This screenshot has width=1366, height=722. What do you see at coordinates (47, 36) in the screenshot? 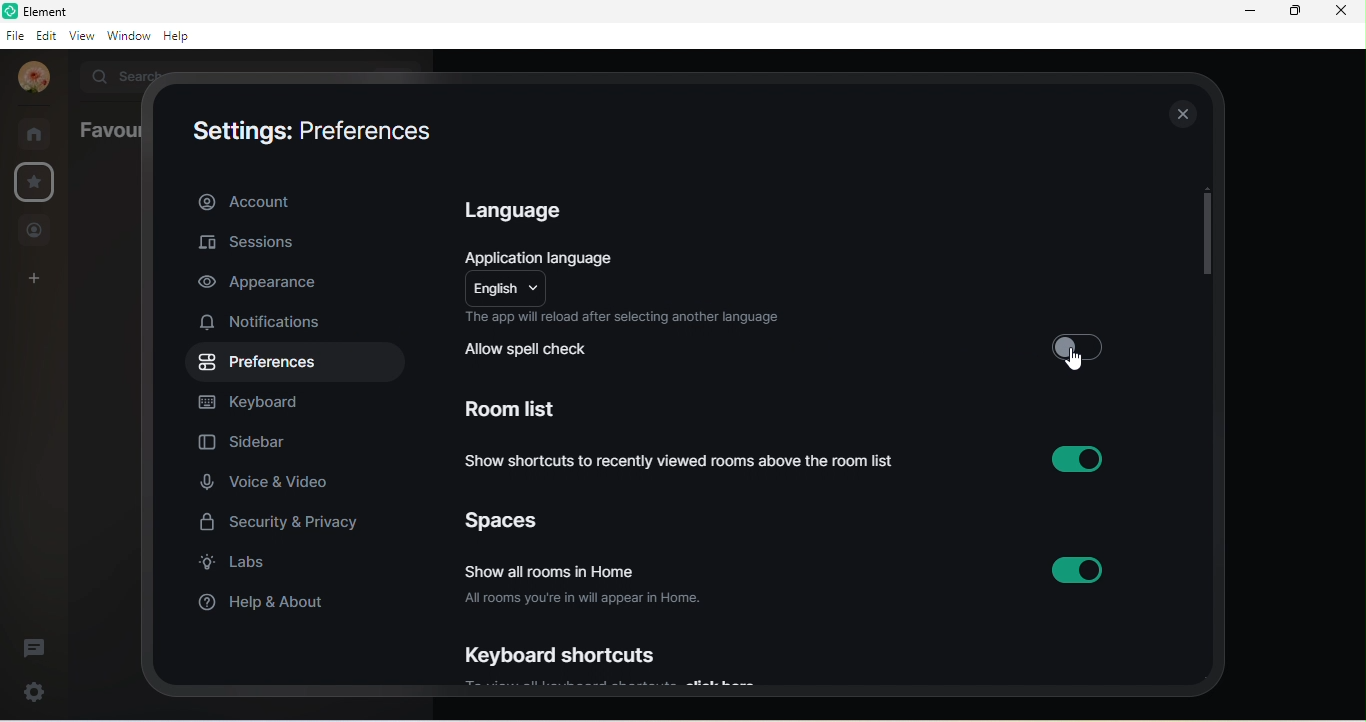
I see `edit` at bounding box center [47, 36].